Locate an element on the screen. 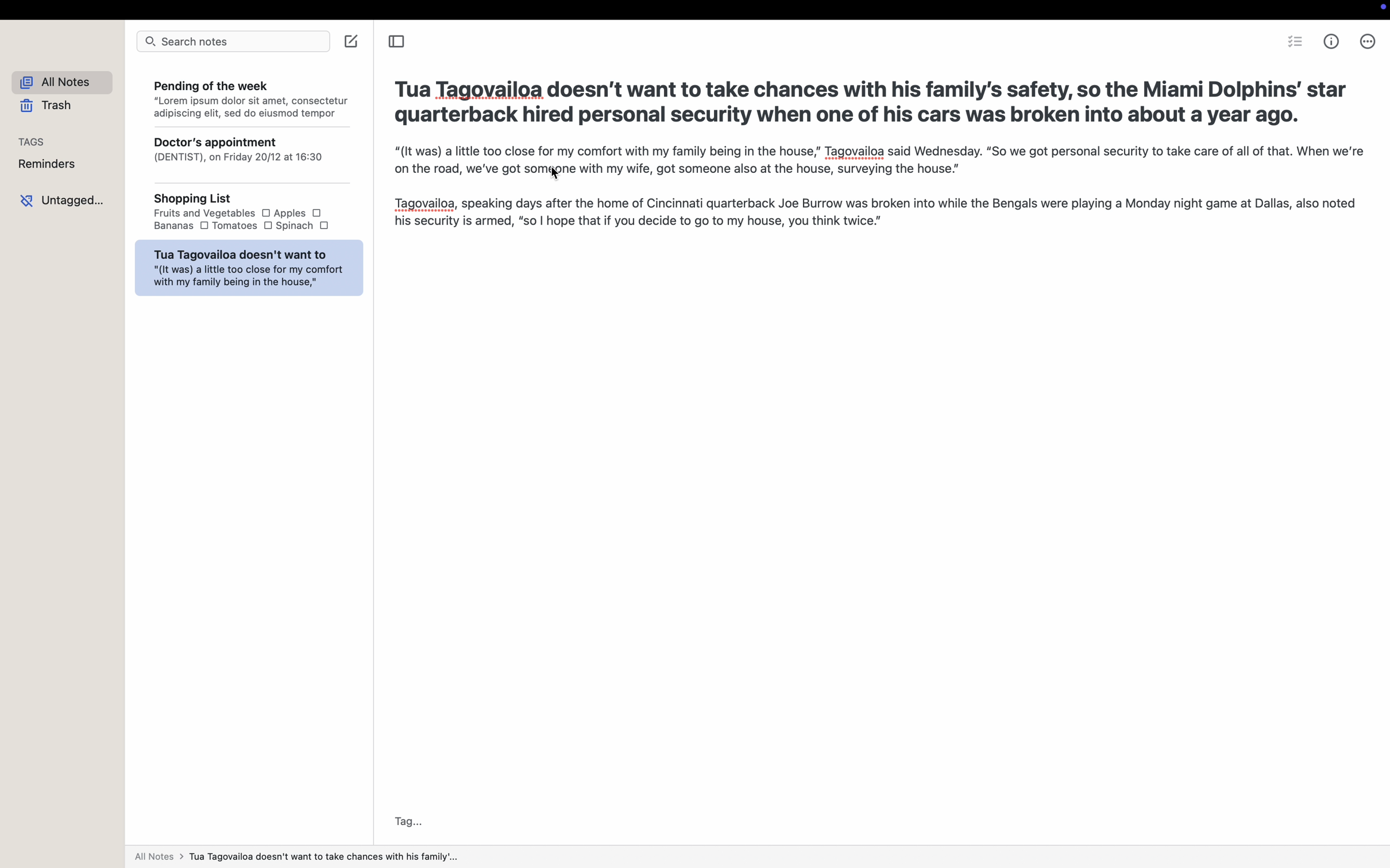  metrics is located at coordinates (1333, 41).